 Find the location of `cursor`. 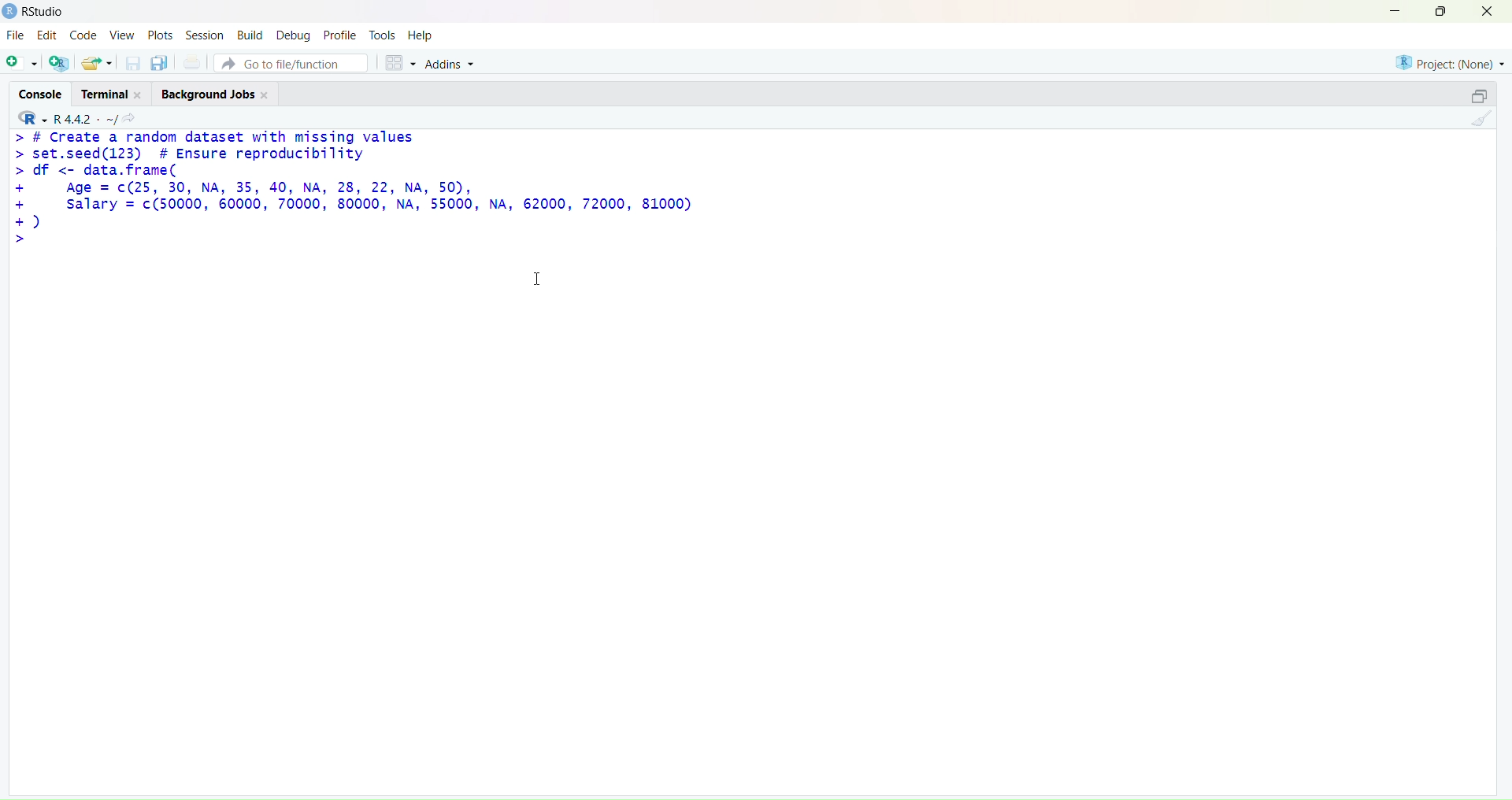

cursor is located at coordinates (539, 280).